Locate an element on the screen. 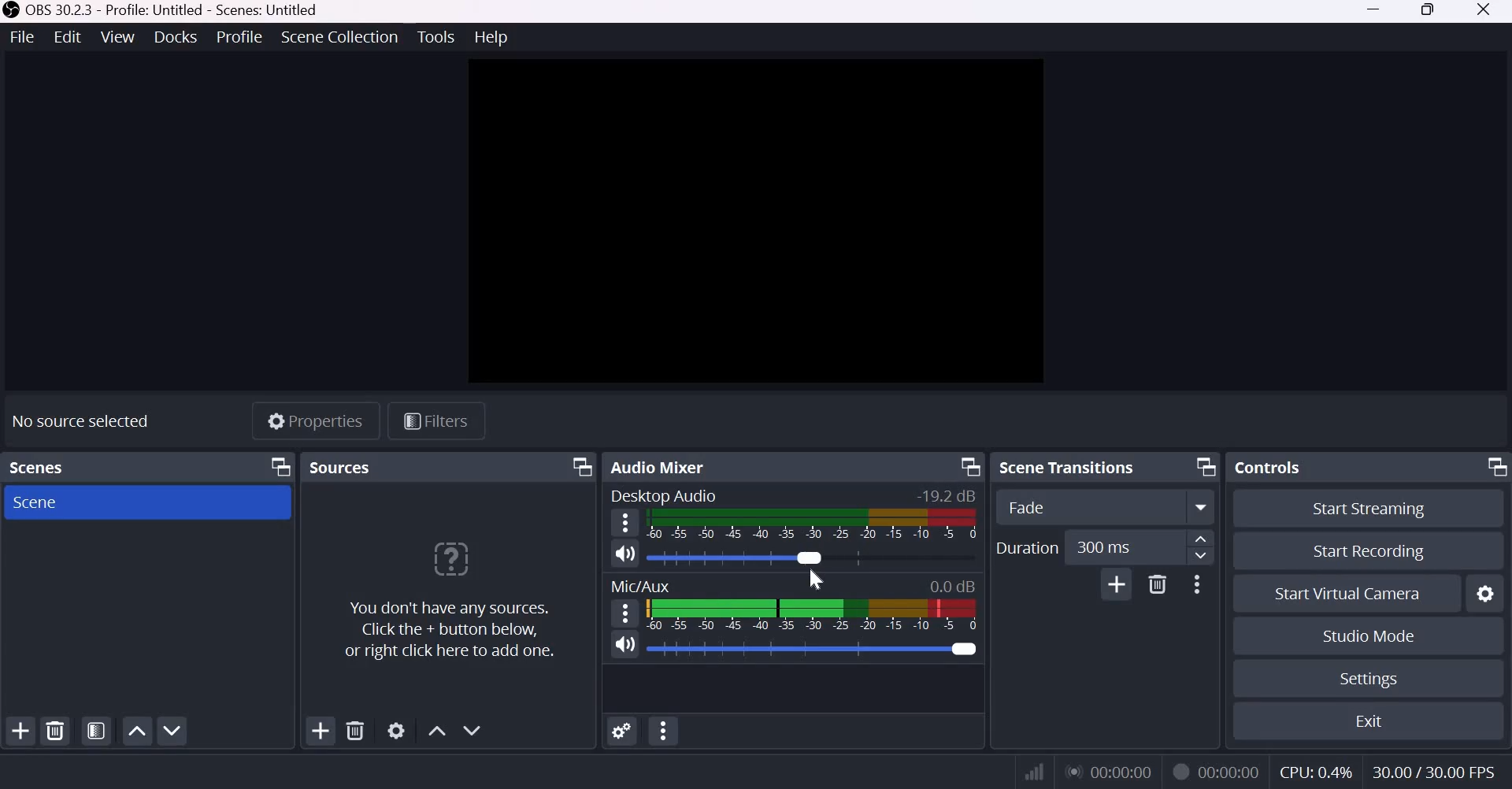 This screenshot has width=1512, height=789. Scene collection is located at coordinates (342, 37).